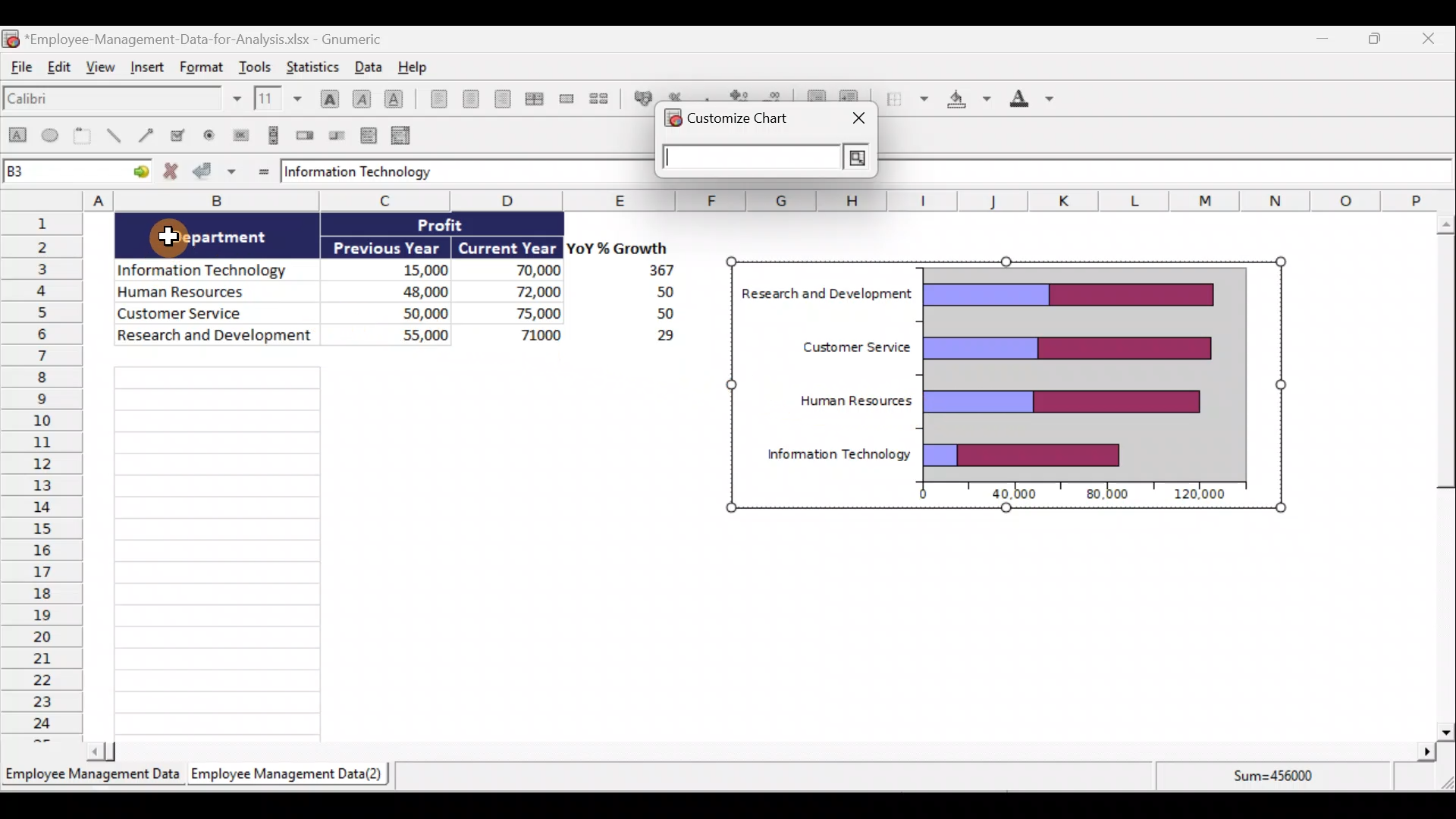 The image size is (1456, 819). Describe the element at coordinates (654, 315) in the screenshot. I see `50` at that location.